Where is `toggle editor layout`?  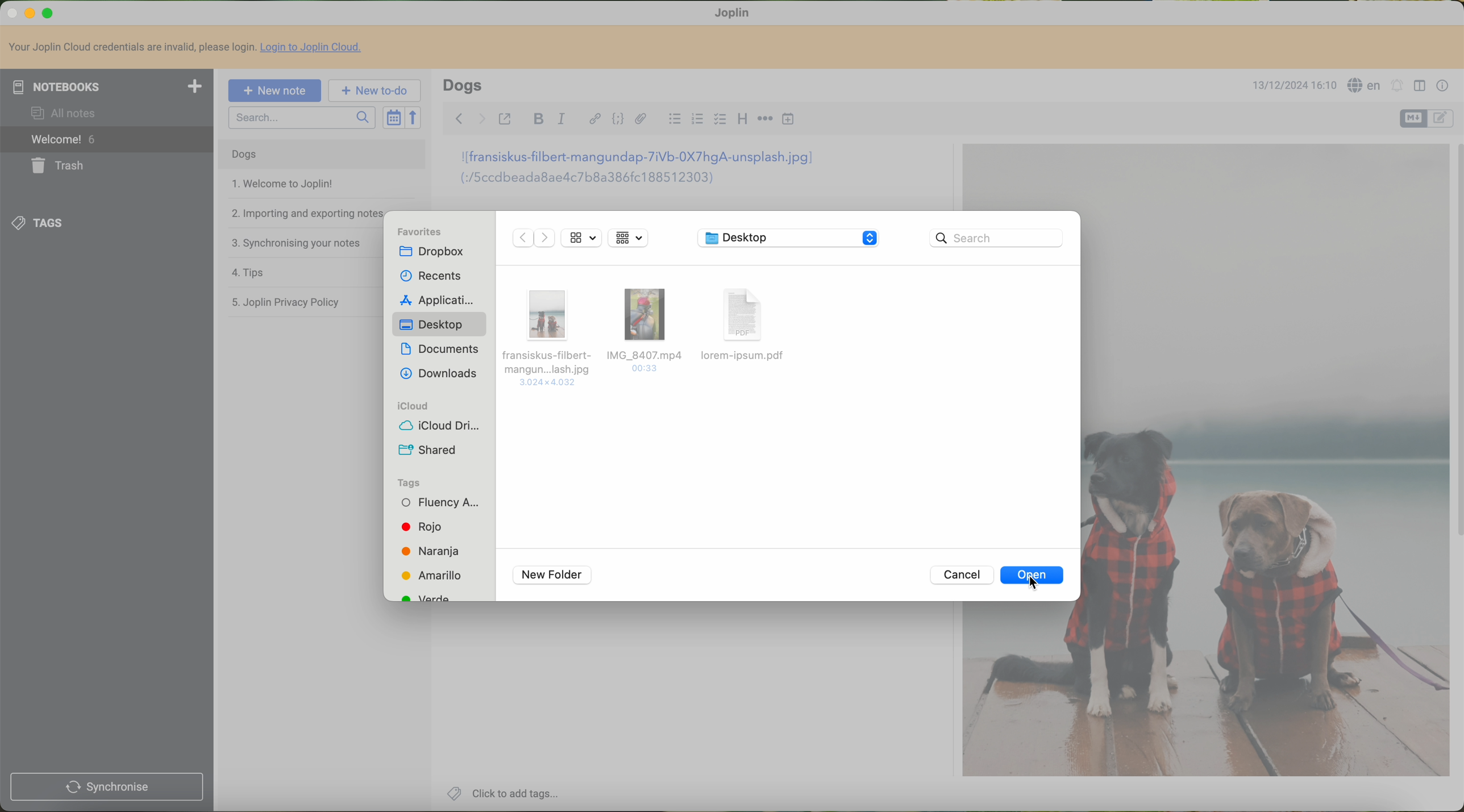
toggle editor layout is located at coordinates (1420, 85).